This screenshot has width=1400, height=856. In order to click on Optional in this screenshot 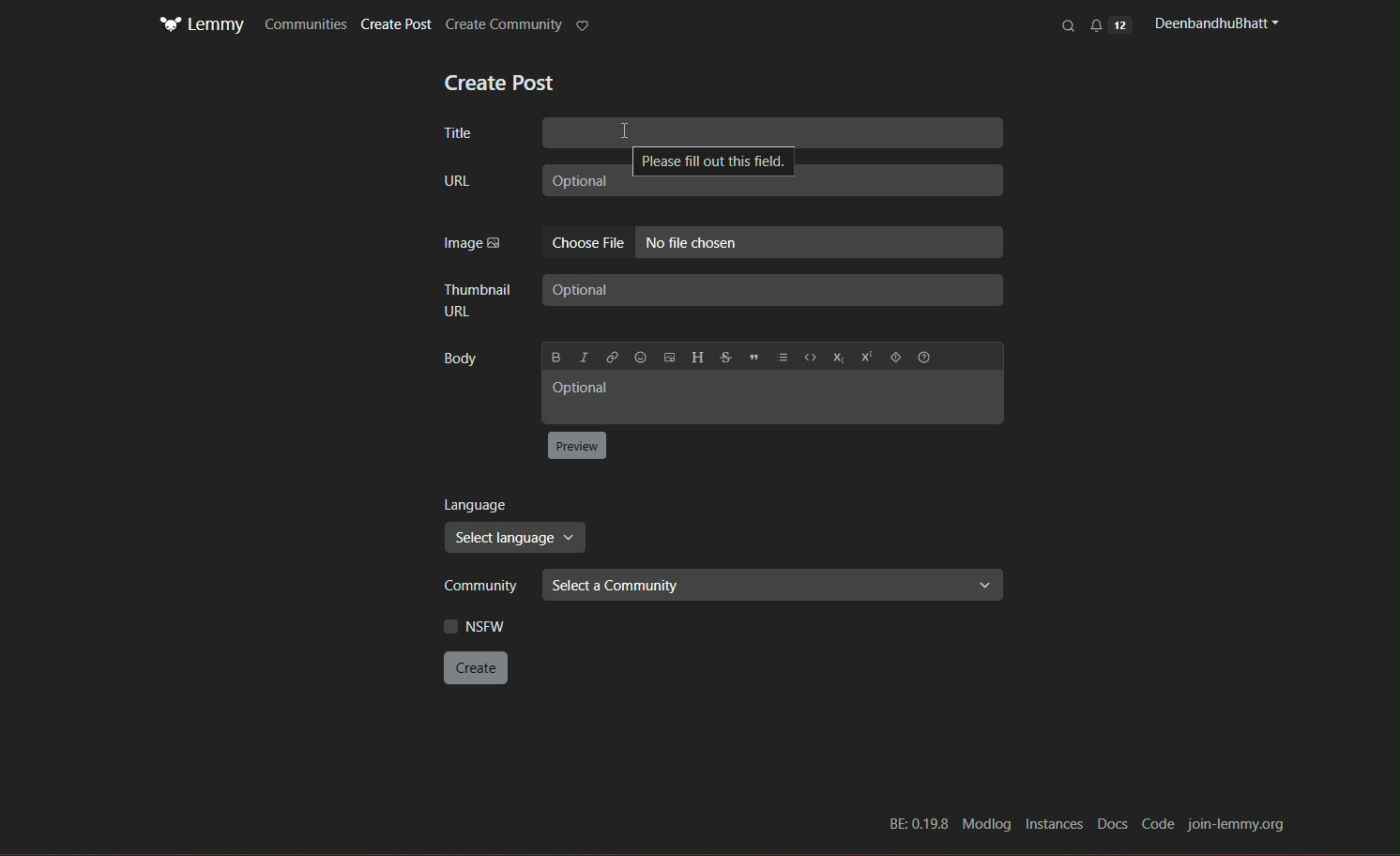, I will do `click(775, 400)`.